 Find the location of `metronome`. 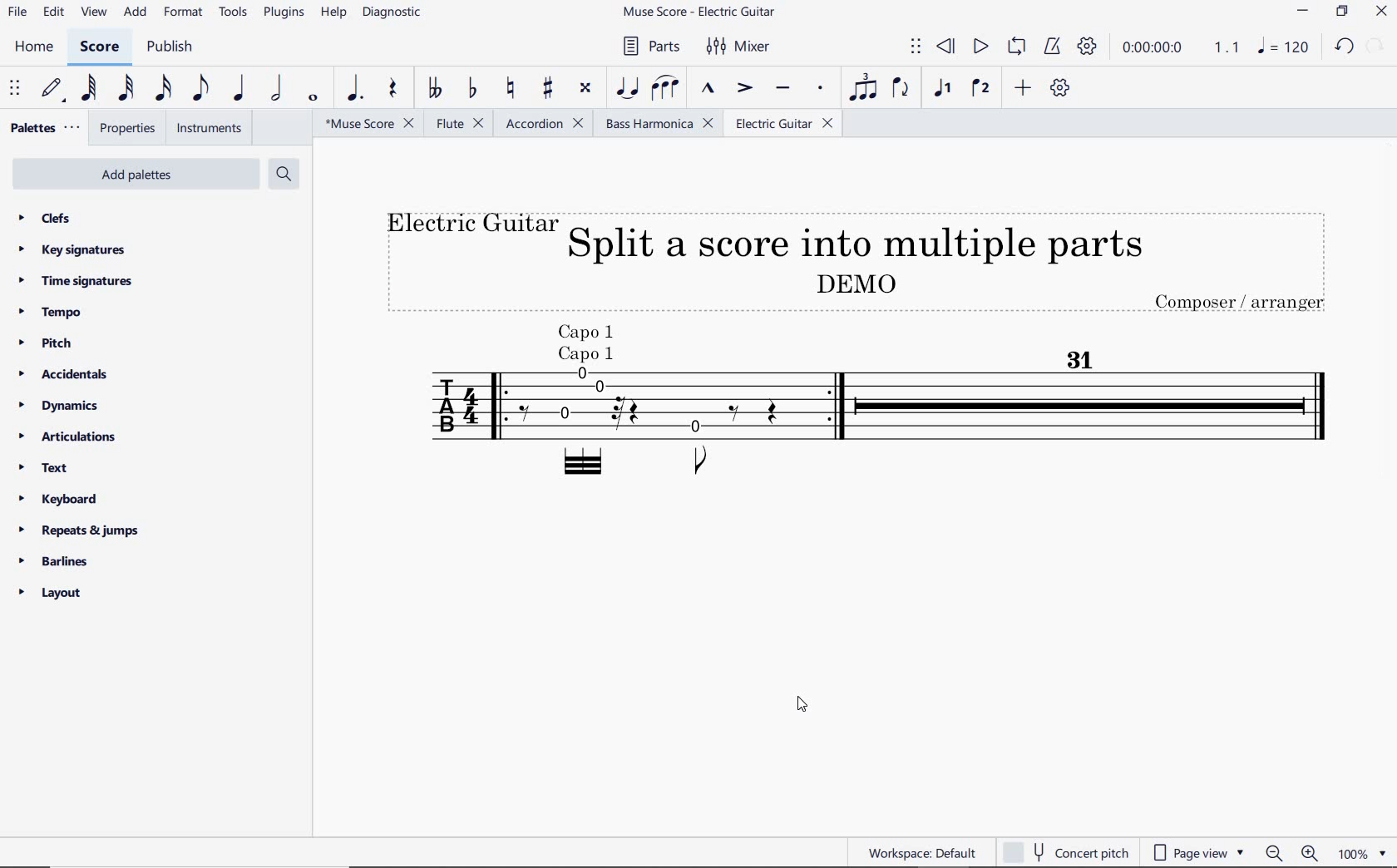

metronome is located at coordinates (1052, 47).